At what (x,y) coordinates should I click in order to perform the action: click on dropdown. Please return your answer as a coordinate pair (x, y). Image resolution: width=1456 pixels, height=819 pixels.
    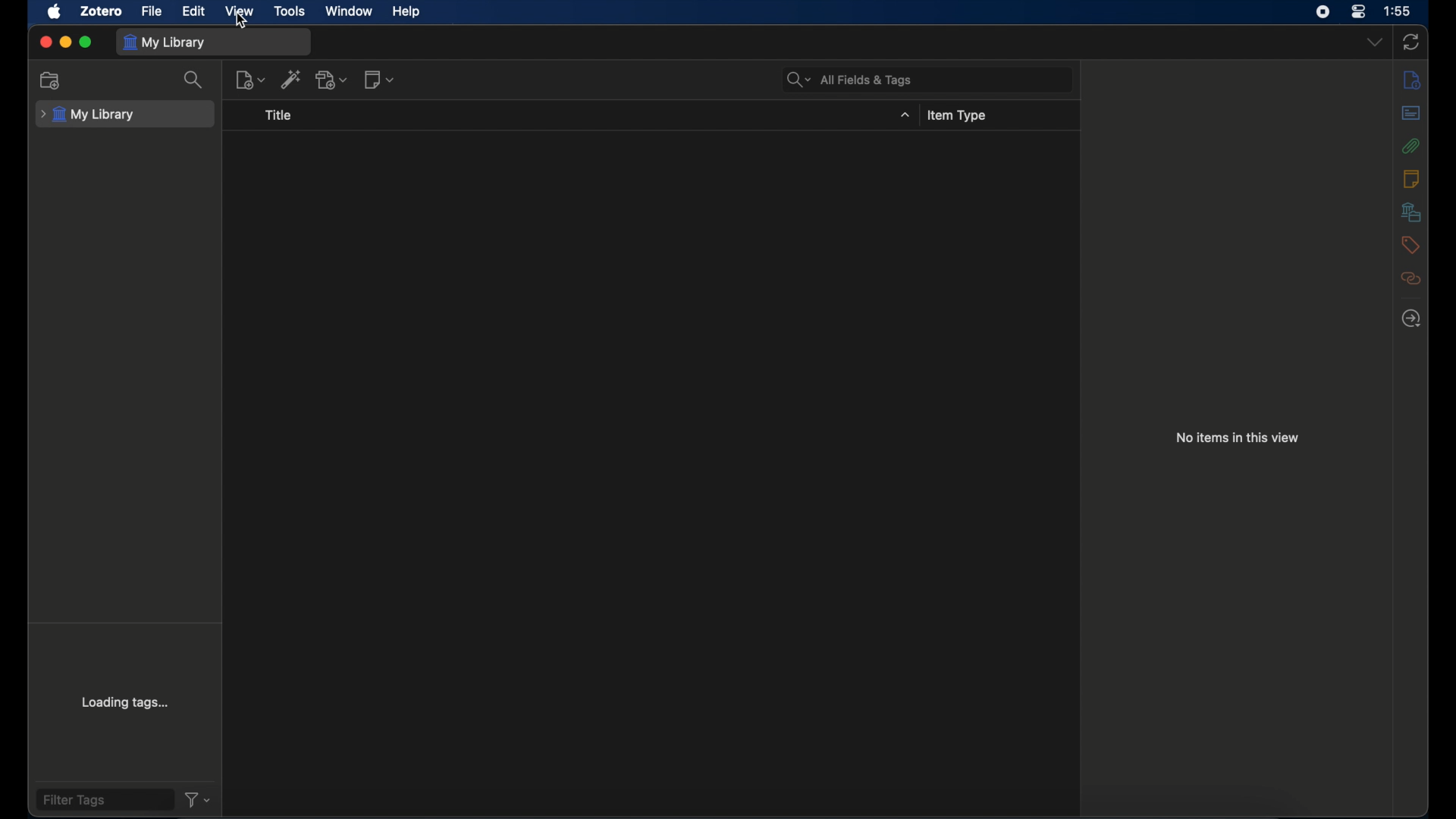
    Looking at the image, I should click on (904, 115).